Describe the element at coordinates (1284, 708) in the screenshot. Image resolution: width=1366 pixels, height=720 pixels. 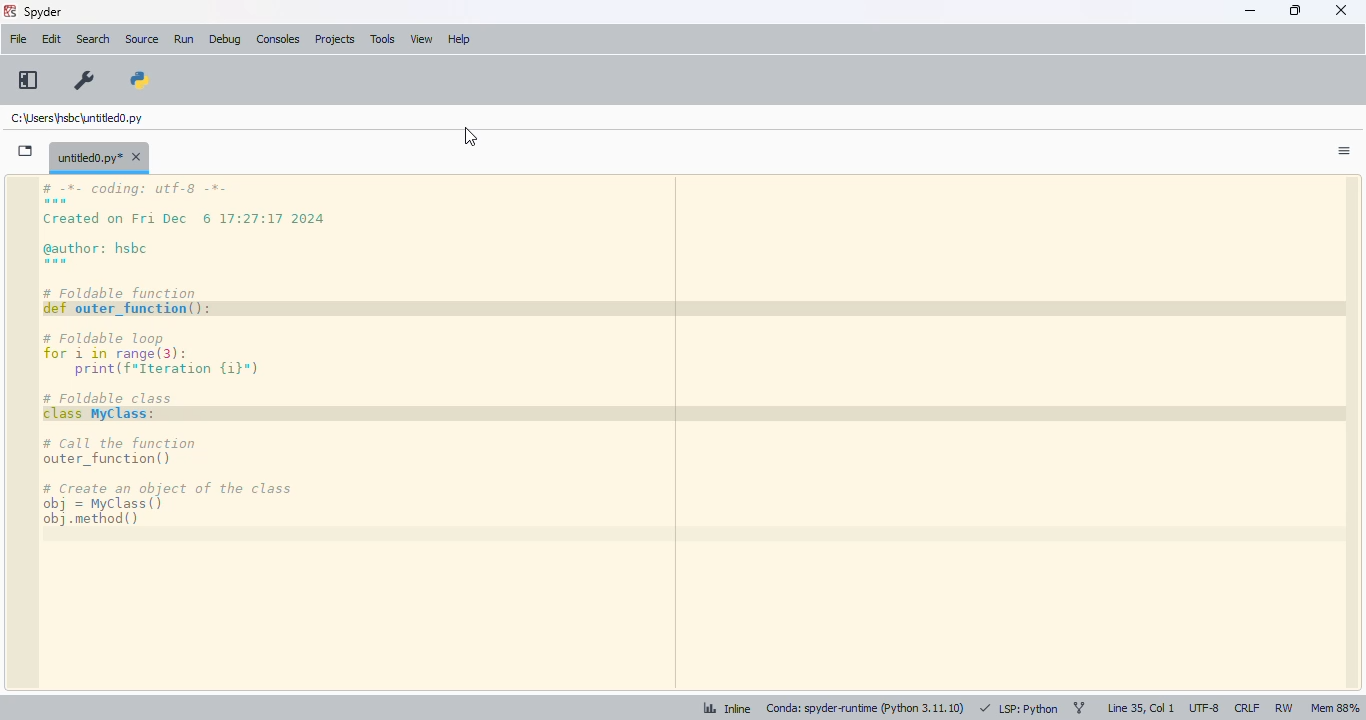
I see `RW` at that location.